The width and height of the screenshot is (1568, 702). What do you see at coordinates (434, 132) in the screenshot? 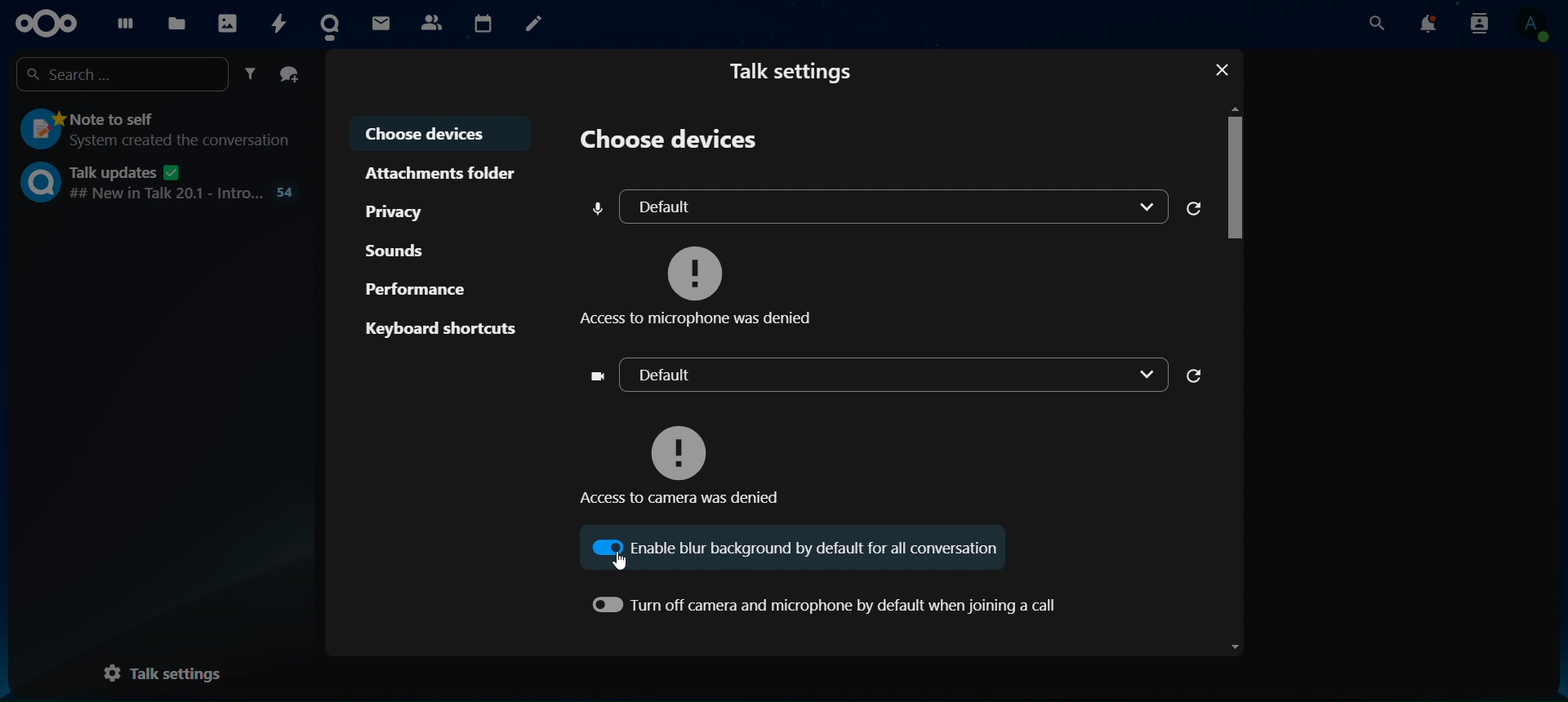
I see `choose devices` at bounding box center [434, 132].